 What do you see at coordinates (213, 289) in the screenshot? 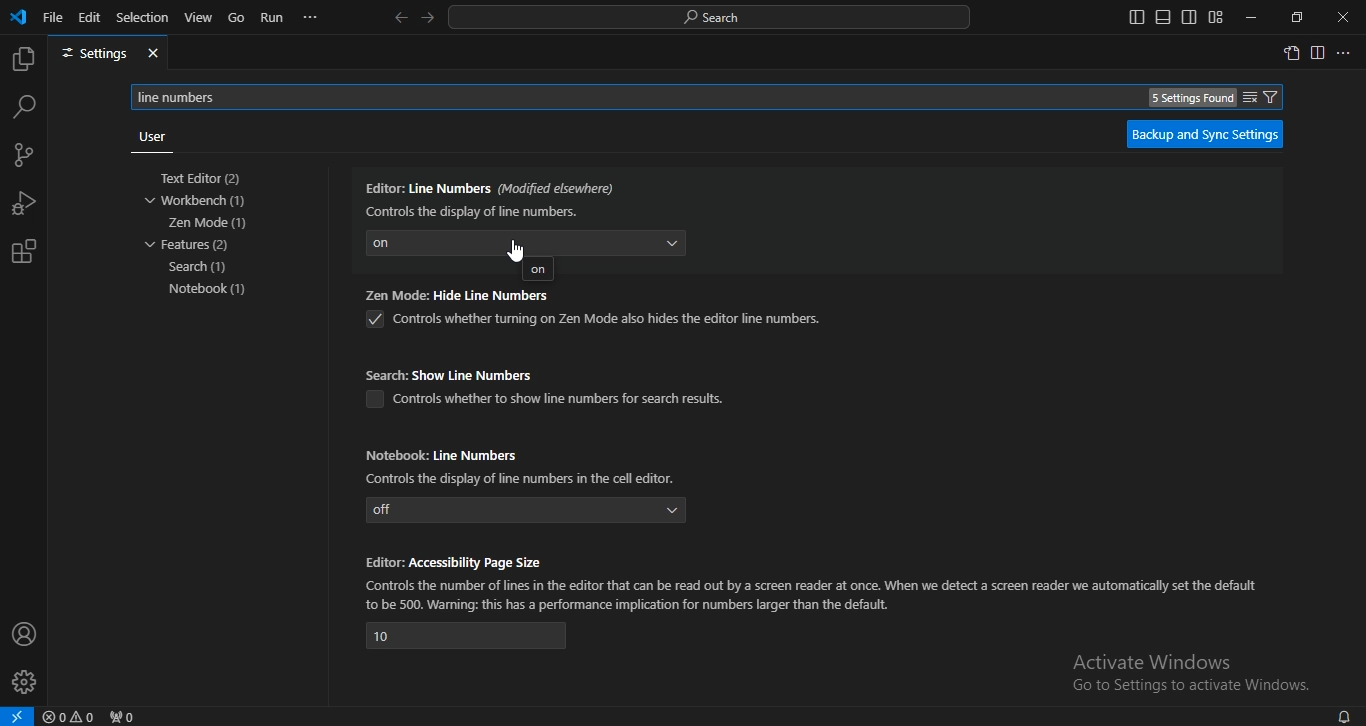
I see `notebook` at bounding box center [213, 289].